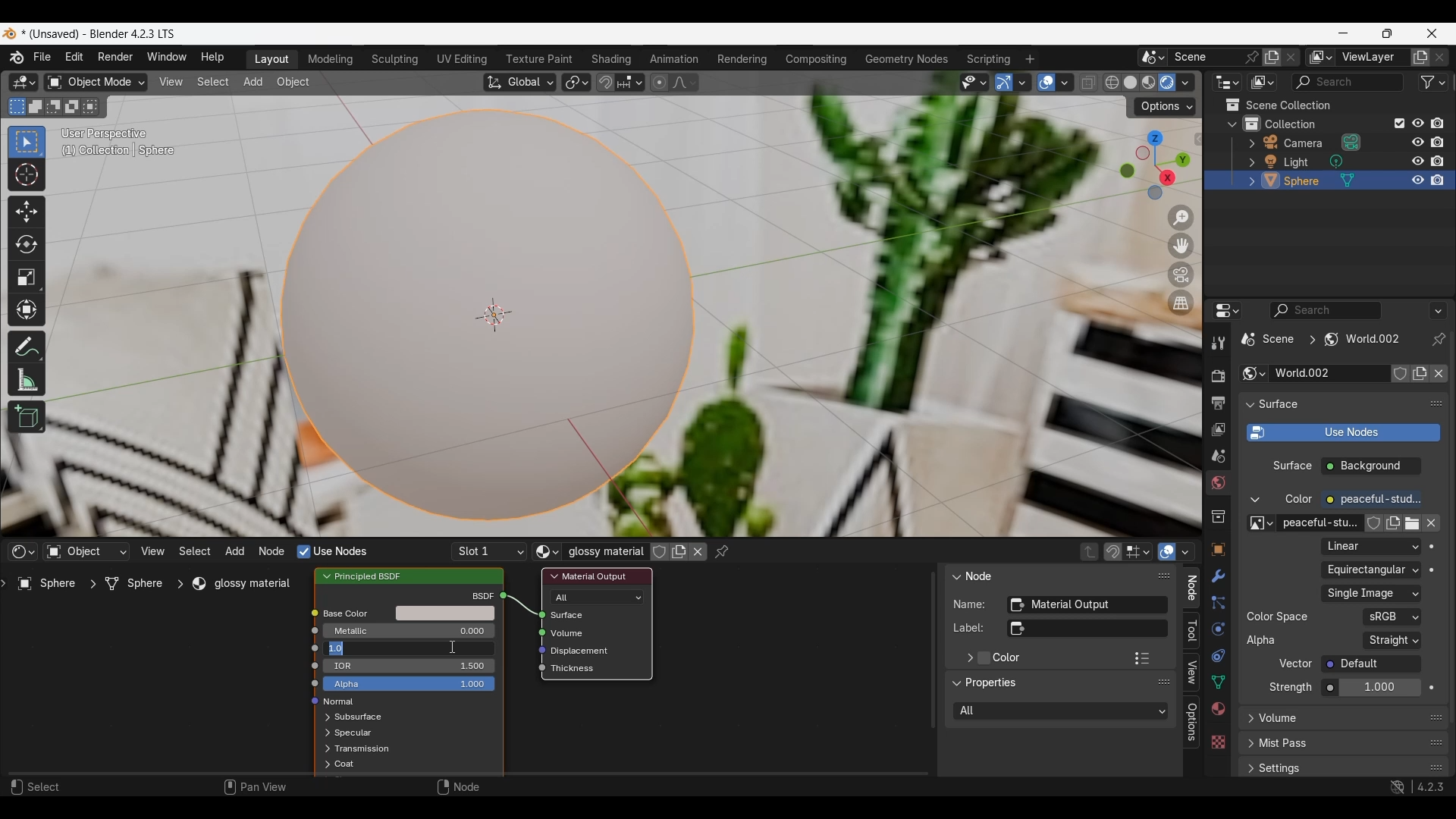 The width and height of the screenshot is (1456, 819). Describe the element at coordinates (90, 107) in the screenshot. I see `Intersect existing selection` at that location.